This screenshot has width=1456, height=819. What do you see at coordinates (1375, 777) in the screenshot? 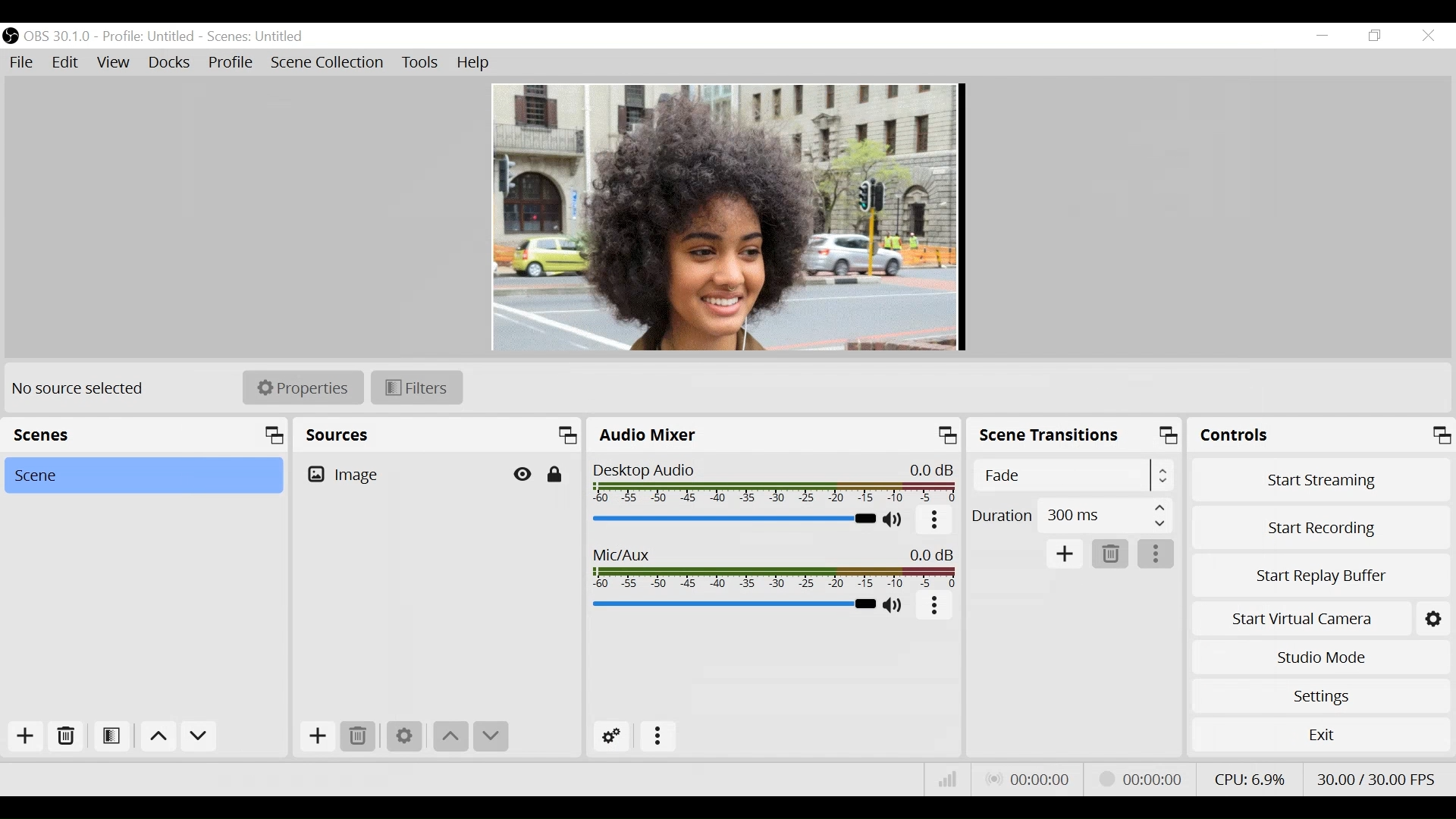
I see `Frame Per Second` at bounding box center [1375, 777].